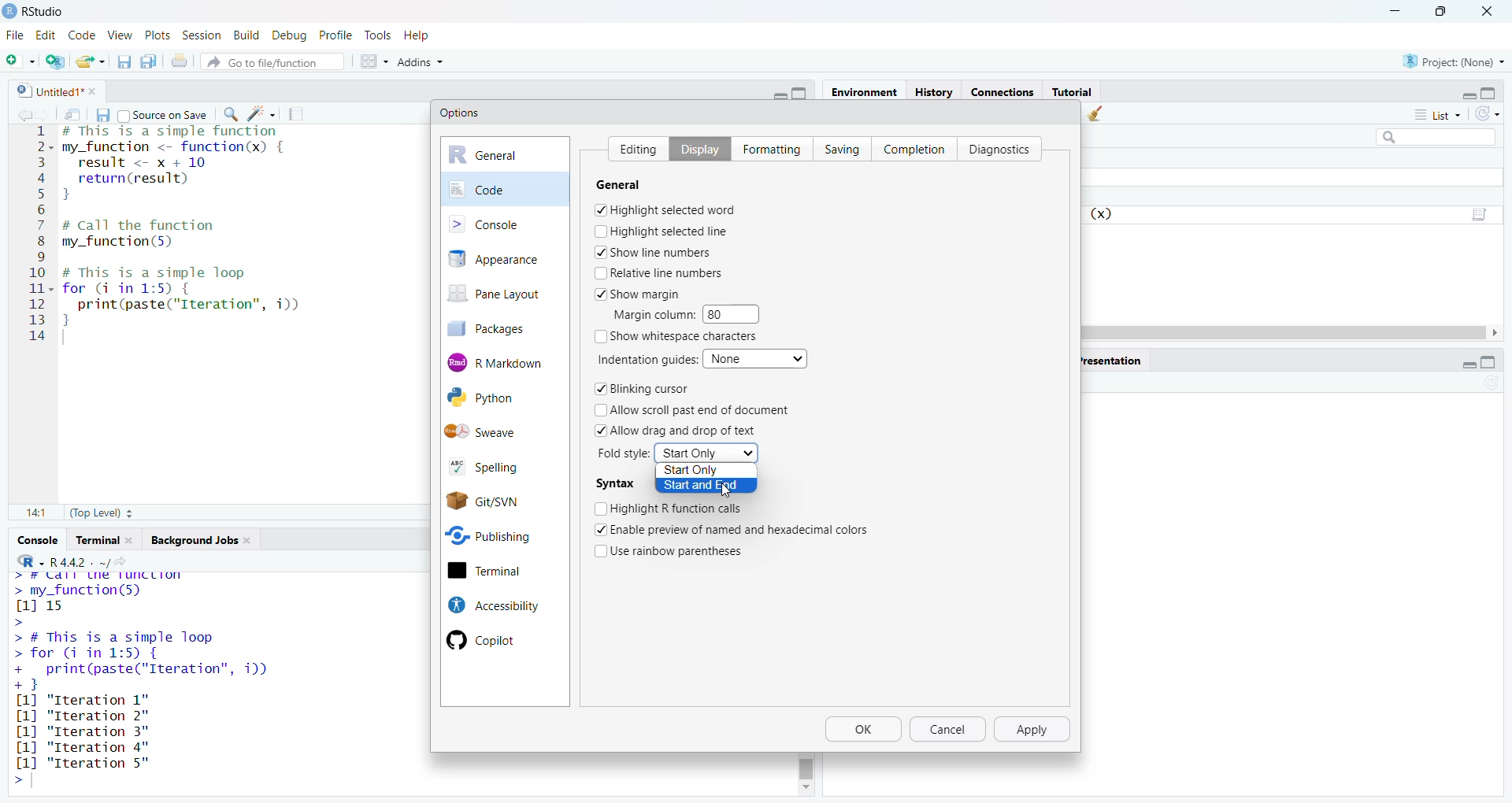 Image resolution: width=1512 pixels, height=803 pixels. What do you see at coordinates (1098, 115) in the screenshot?
I see `clear objects from the workspace` at bounding box center [1098, 115].